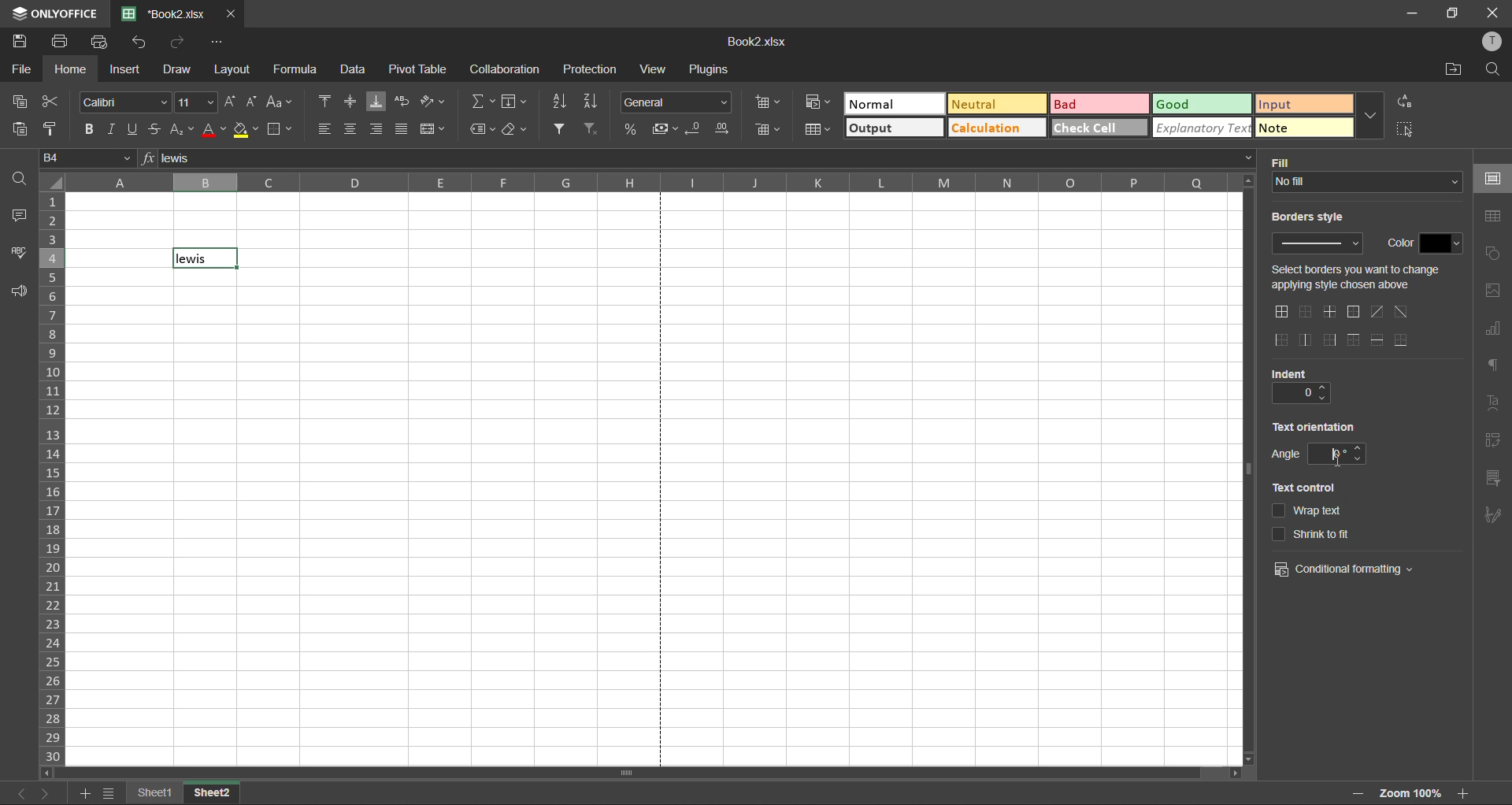 This screenshot has height=805, width=1512. I want to click on insert cells, so click(771, 104).